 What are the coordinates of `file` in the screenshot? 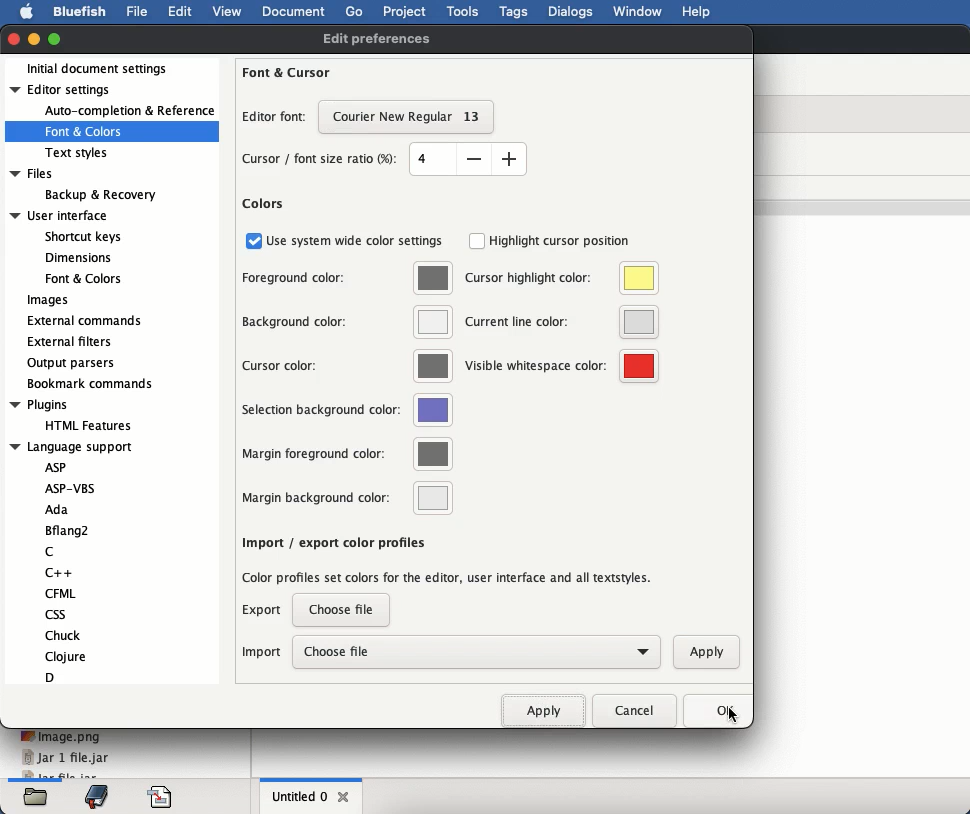 It's located at (136, 11).